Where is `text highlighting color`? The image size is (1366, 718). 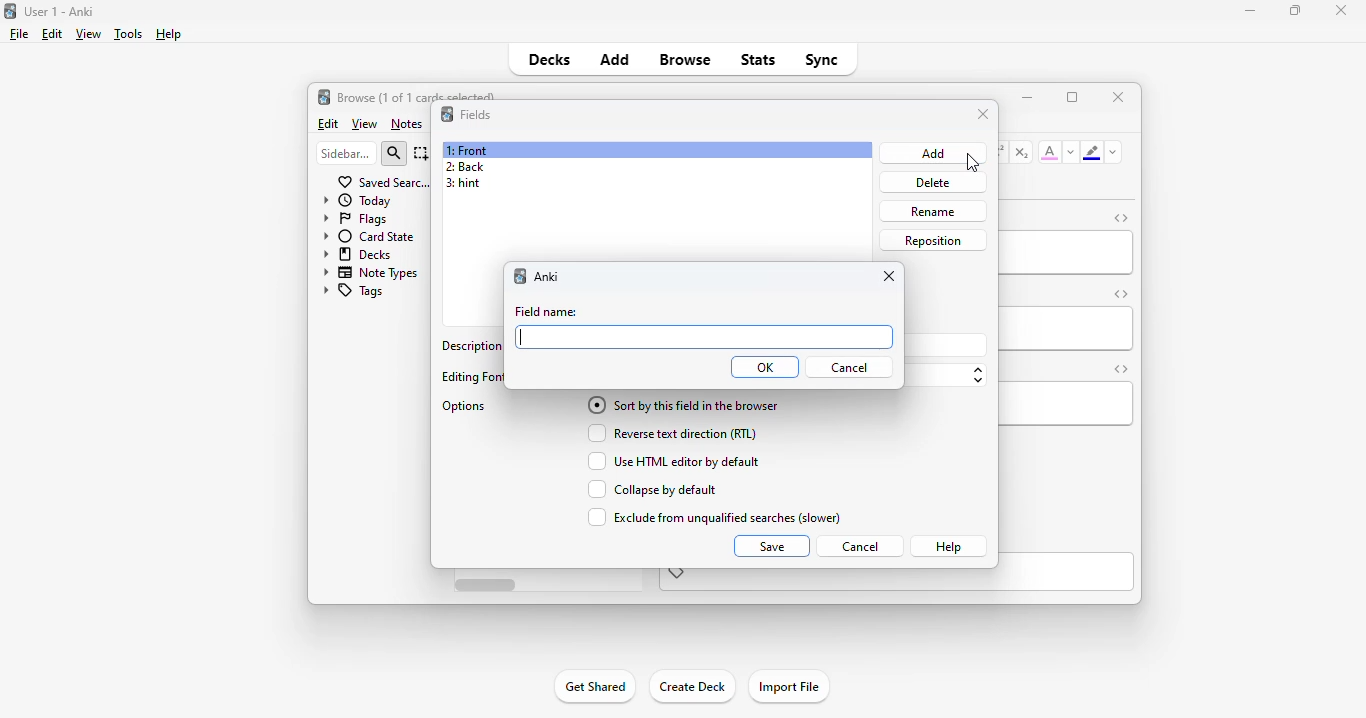
text highlighting color is located at coordinates (1091, 152).